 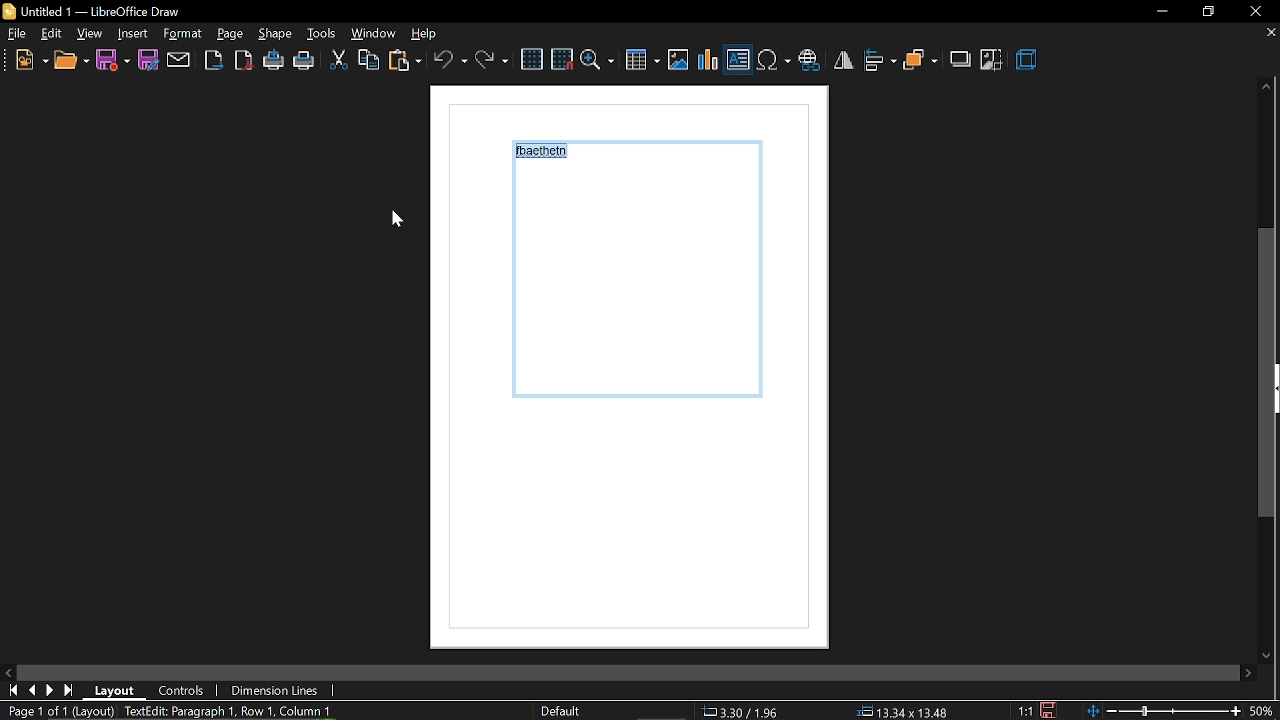 I want to click on view, so click(x=90, y=33).